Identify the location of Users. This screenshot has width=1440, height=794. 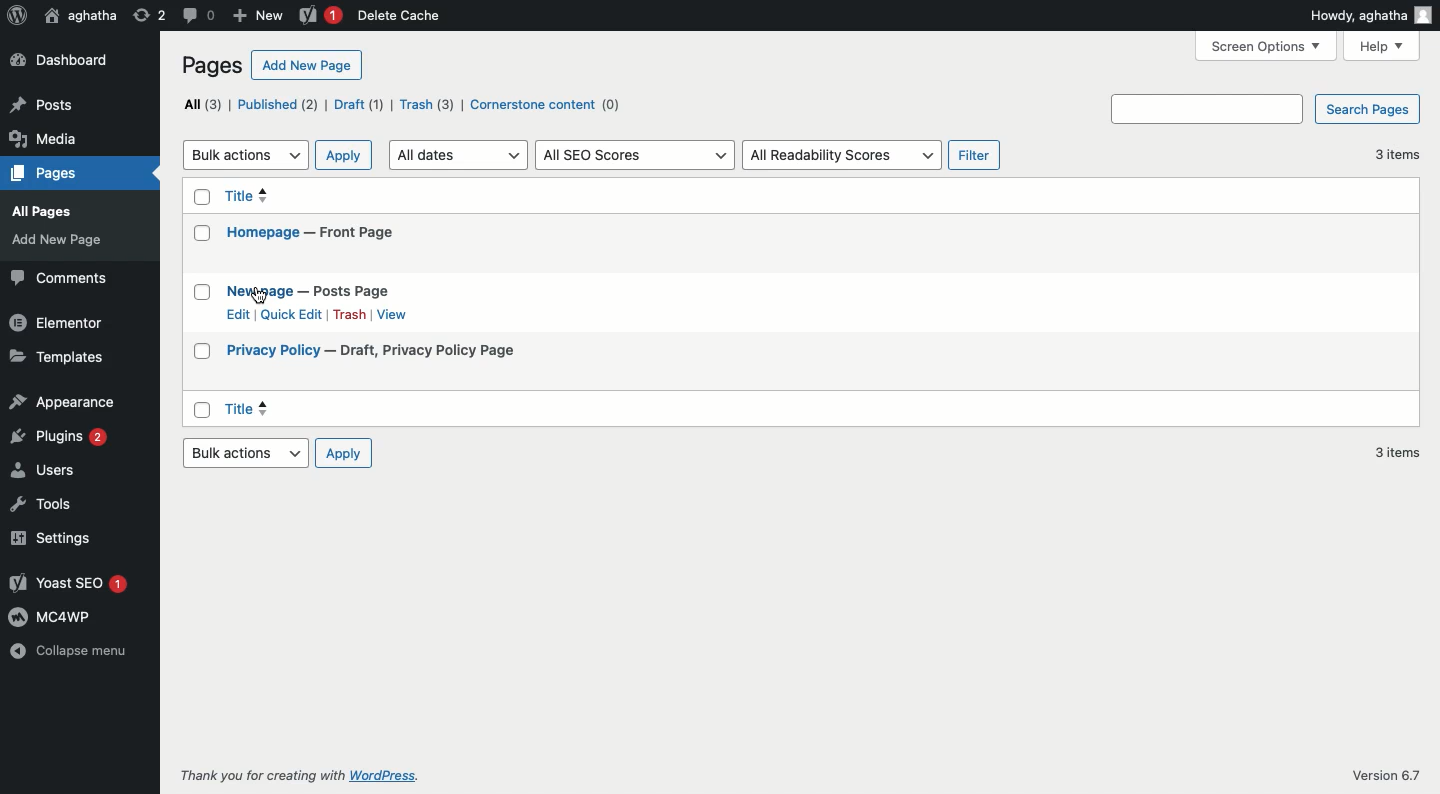
(65, 470).